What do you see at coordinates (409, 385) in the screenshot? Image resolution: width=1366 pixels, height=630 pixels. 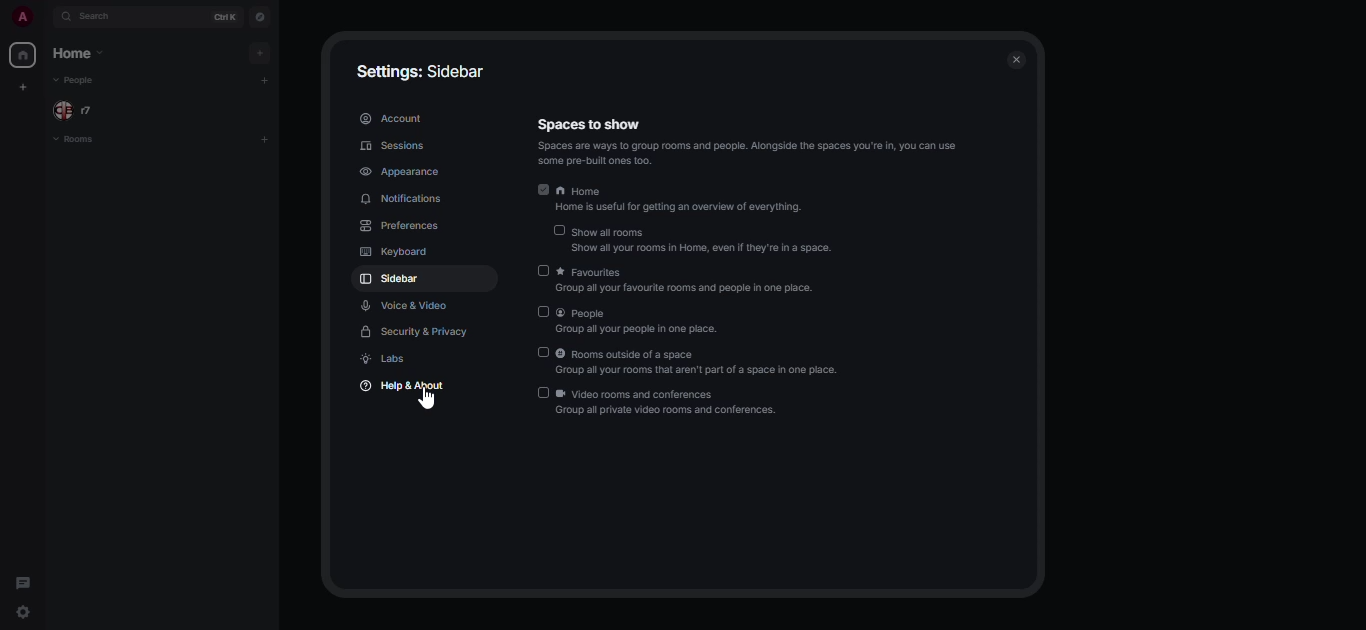 I see `help & about` at bounding box center [409, 385].